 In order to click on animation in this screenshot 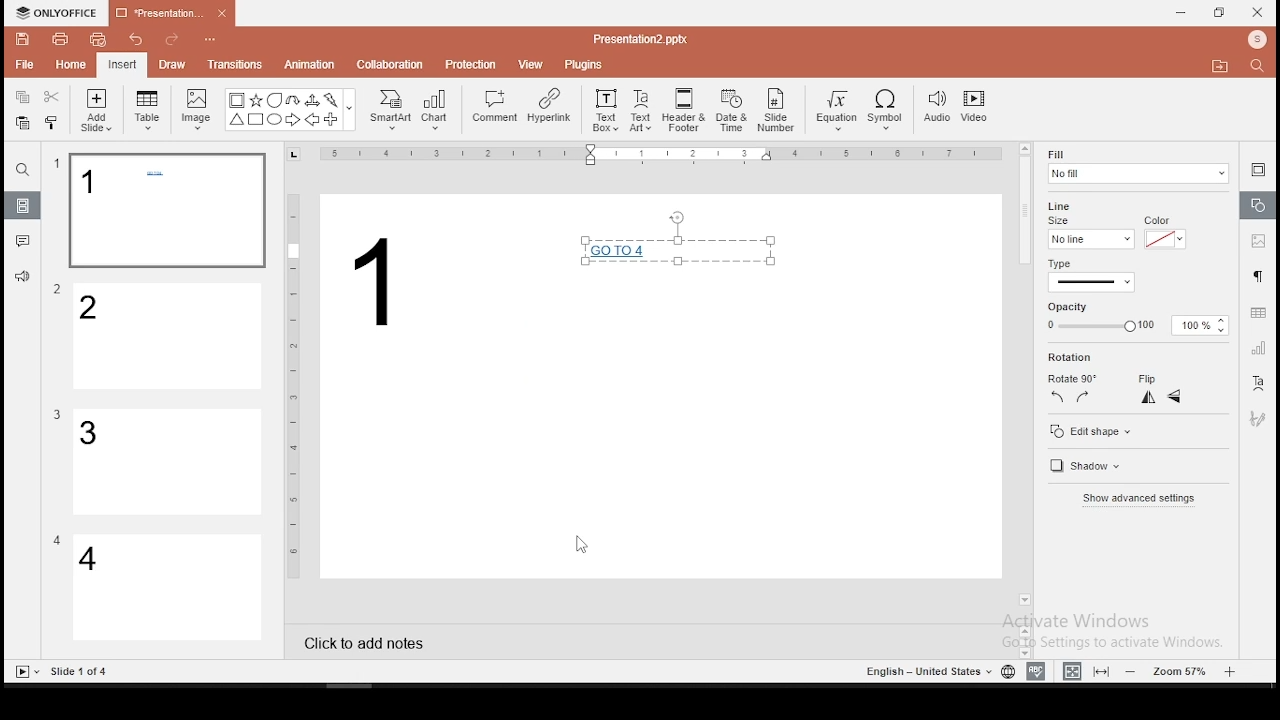, I will do `click(308, 66)`.